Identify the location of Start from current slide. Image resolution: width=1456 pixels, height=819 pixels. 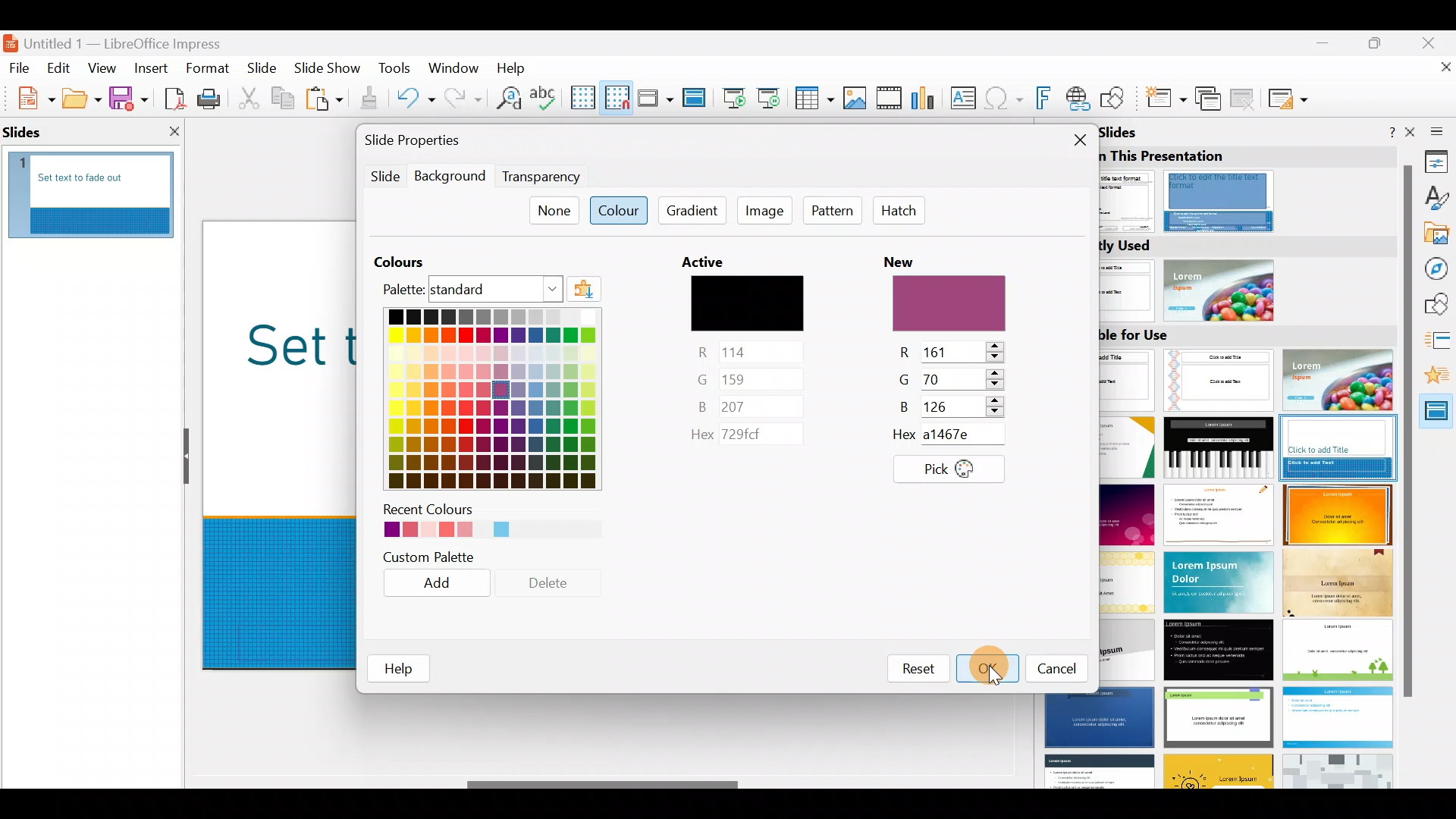
(773, 97).